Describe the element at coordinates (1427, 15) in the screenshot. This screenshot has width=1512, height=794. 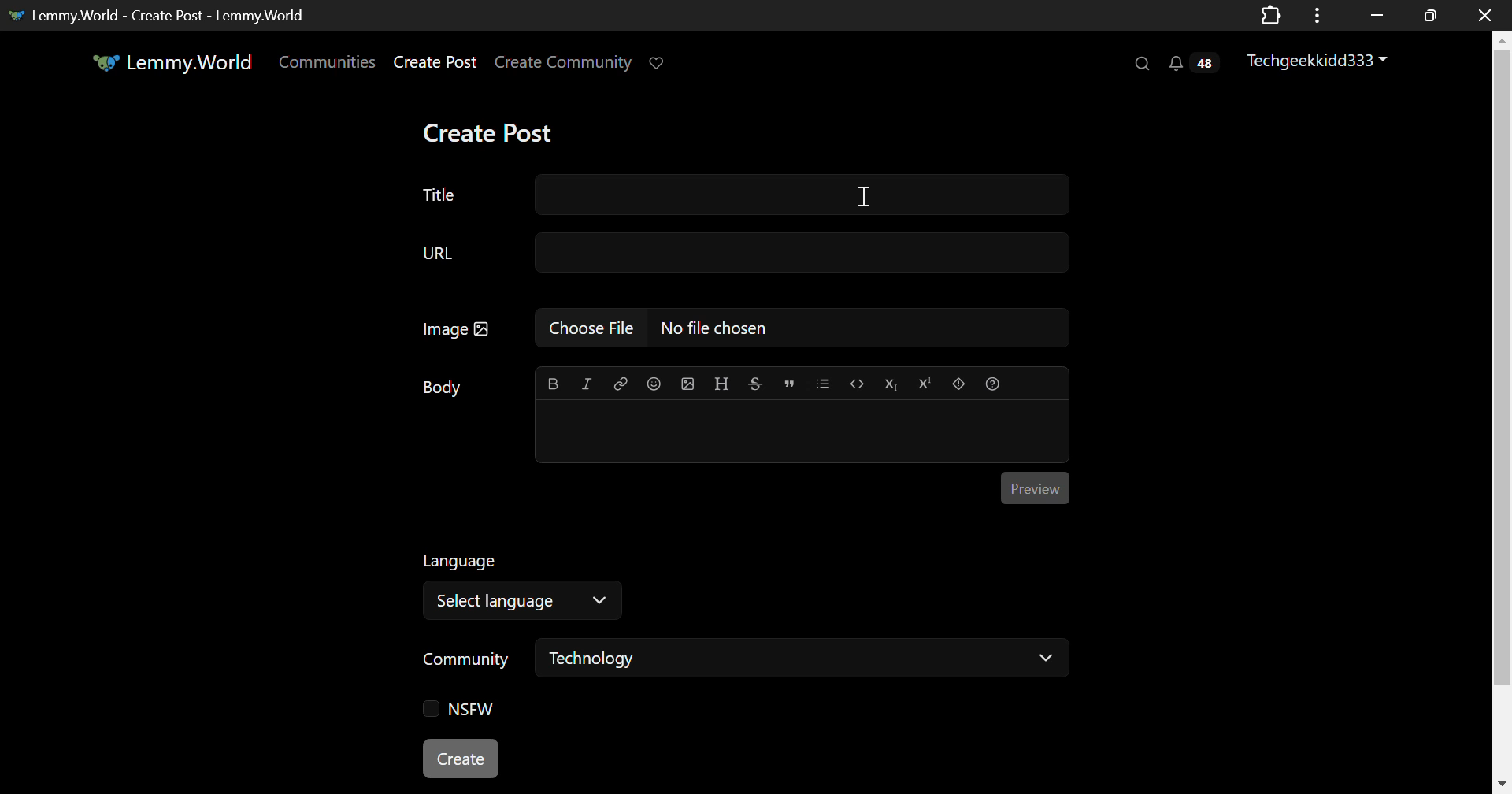
I see `Minimize Window` at that location.